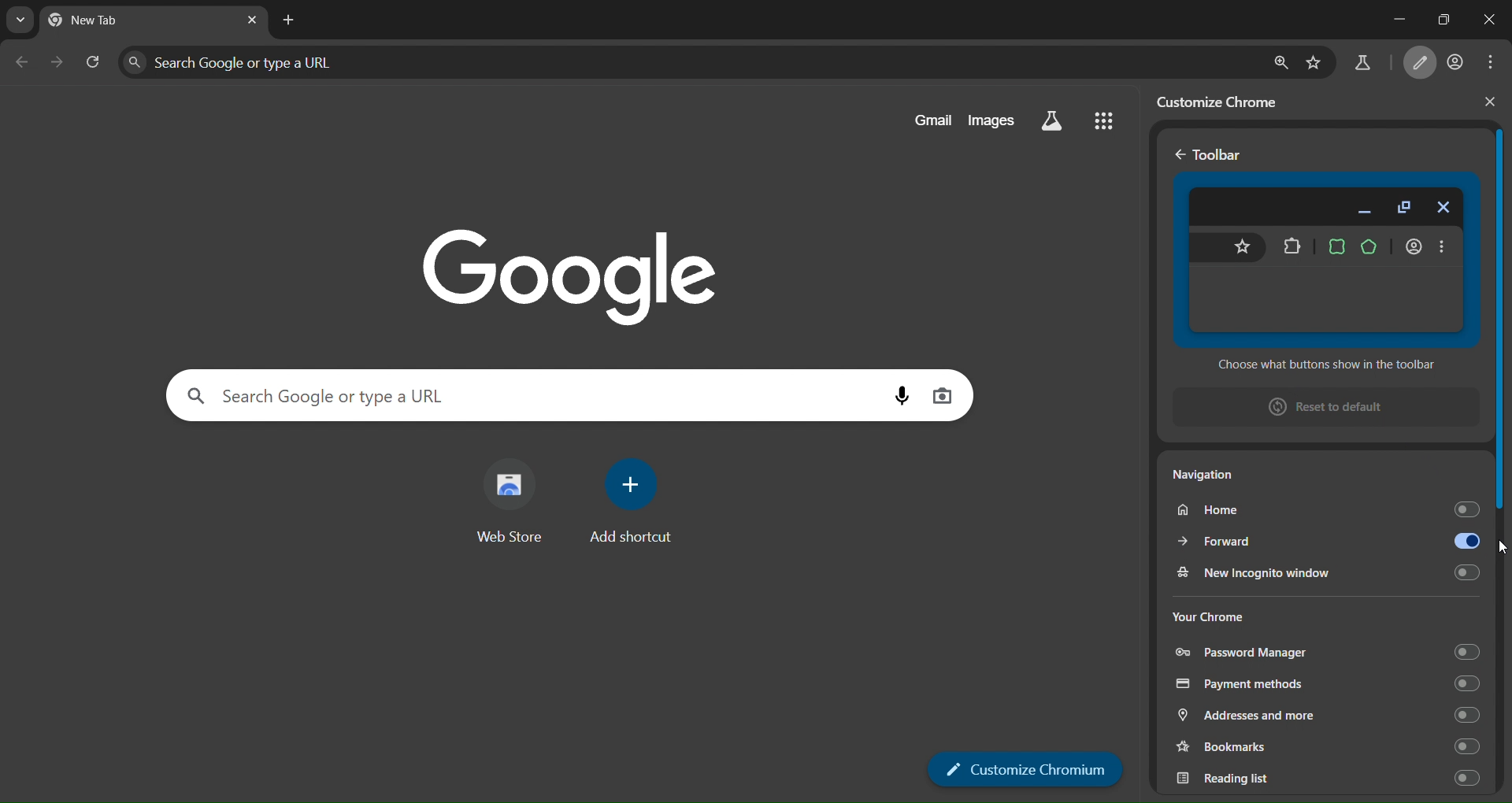  What do you see at coordinates (1225, 101) in the screenshot?
I see `customize chromium` at bounding box center [1225, 101].